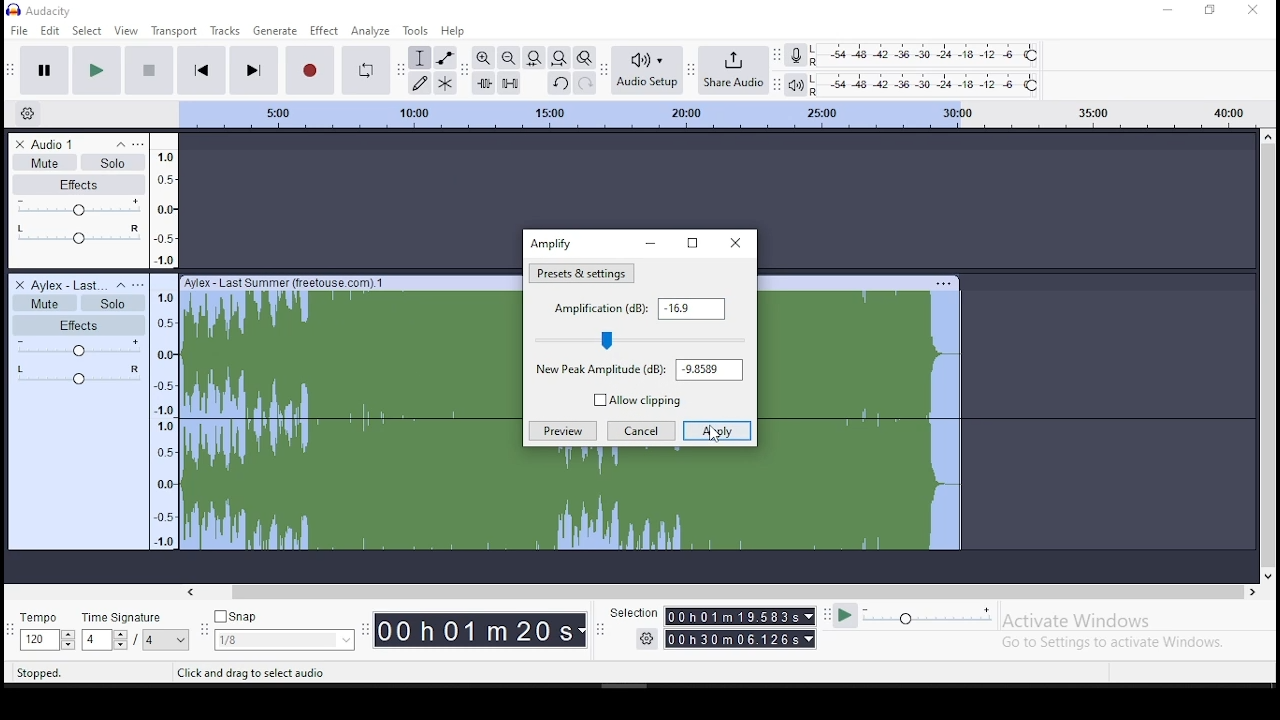 The image size is (1280, 720). Describe the element at coordinates (16, 30) in the screenshot. I see `file` at that location.